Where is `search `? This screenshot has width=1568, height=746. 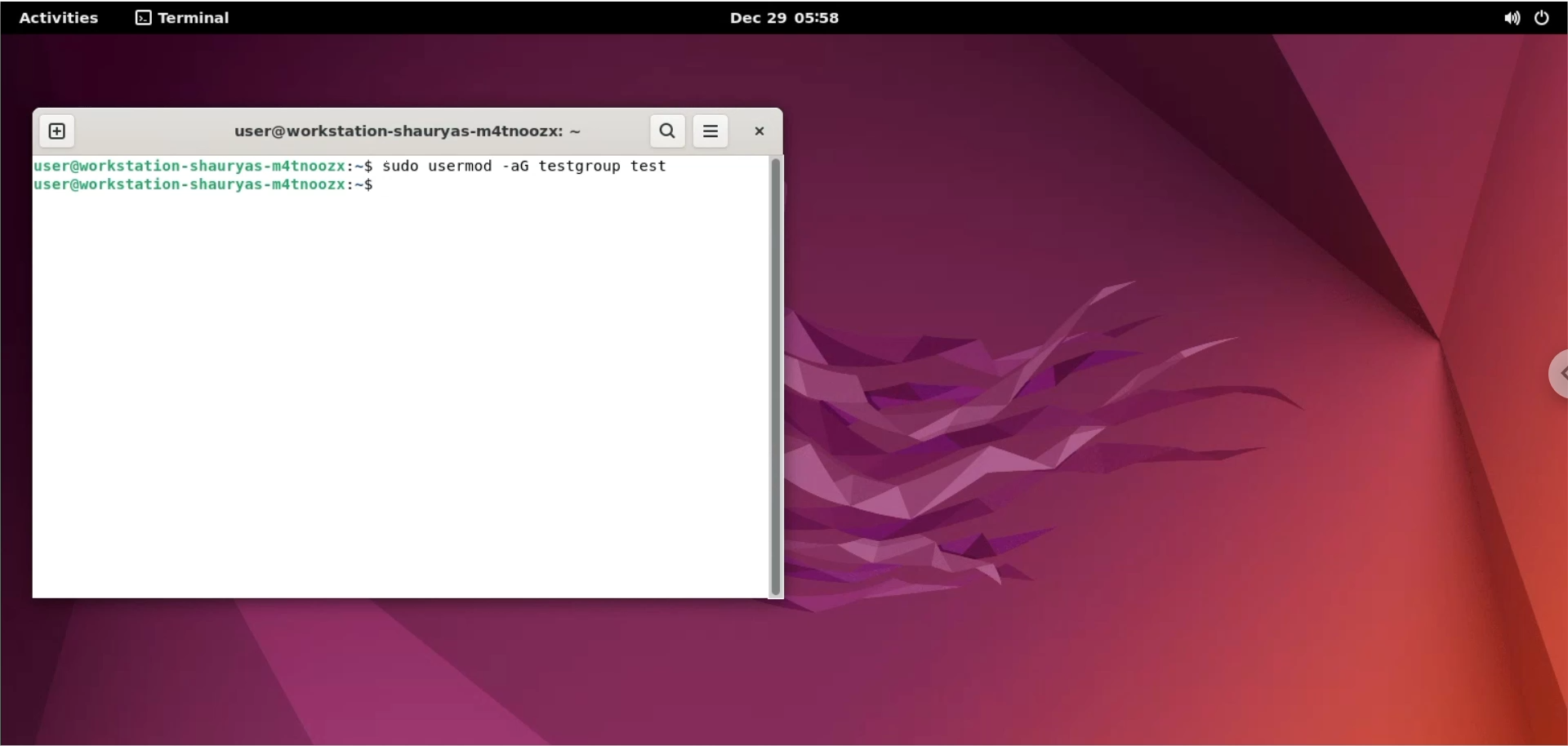
search  is located at coordinates (668, 131).